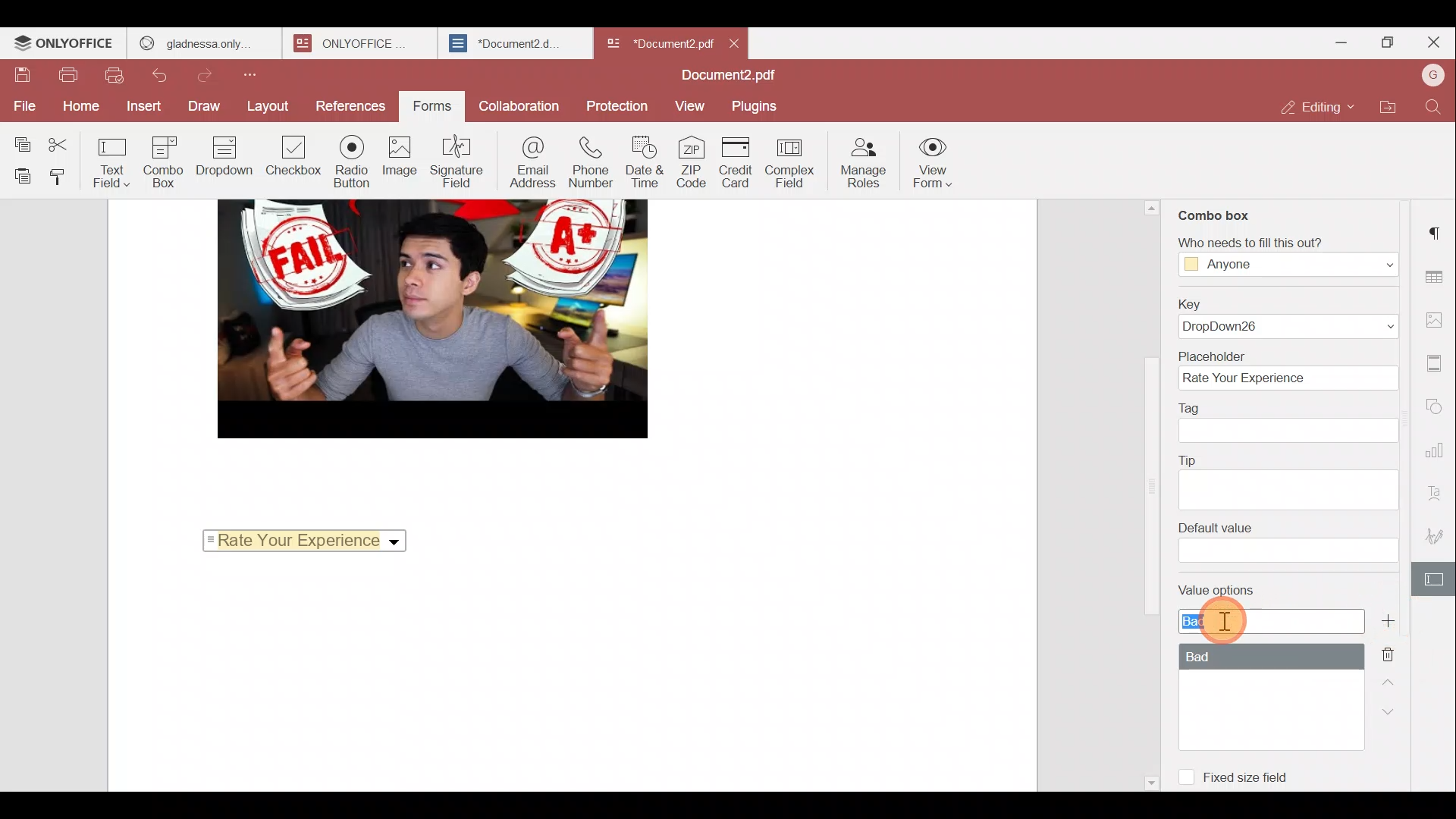  What do you see at coordinates (736, 41) in the screenshot?
I see `Close` at bounding box center [736, 41].